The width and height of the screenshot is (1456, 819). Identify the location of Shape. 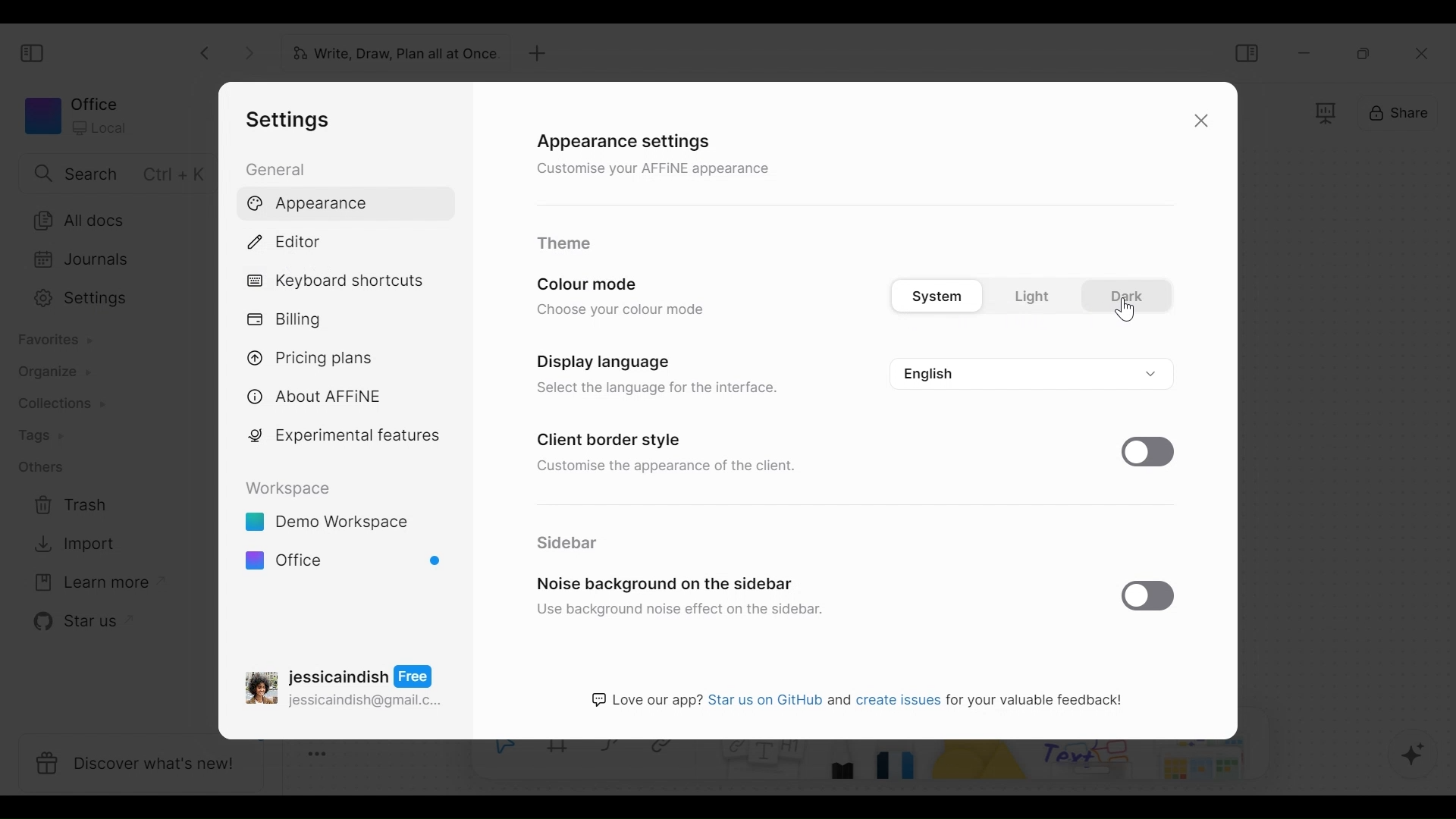
(981, 761).